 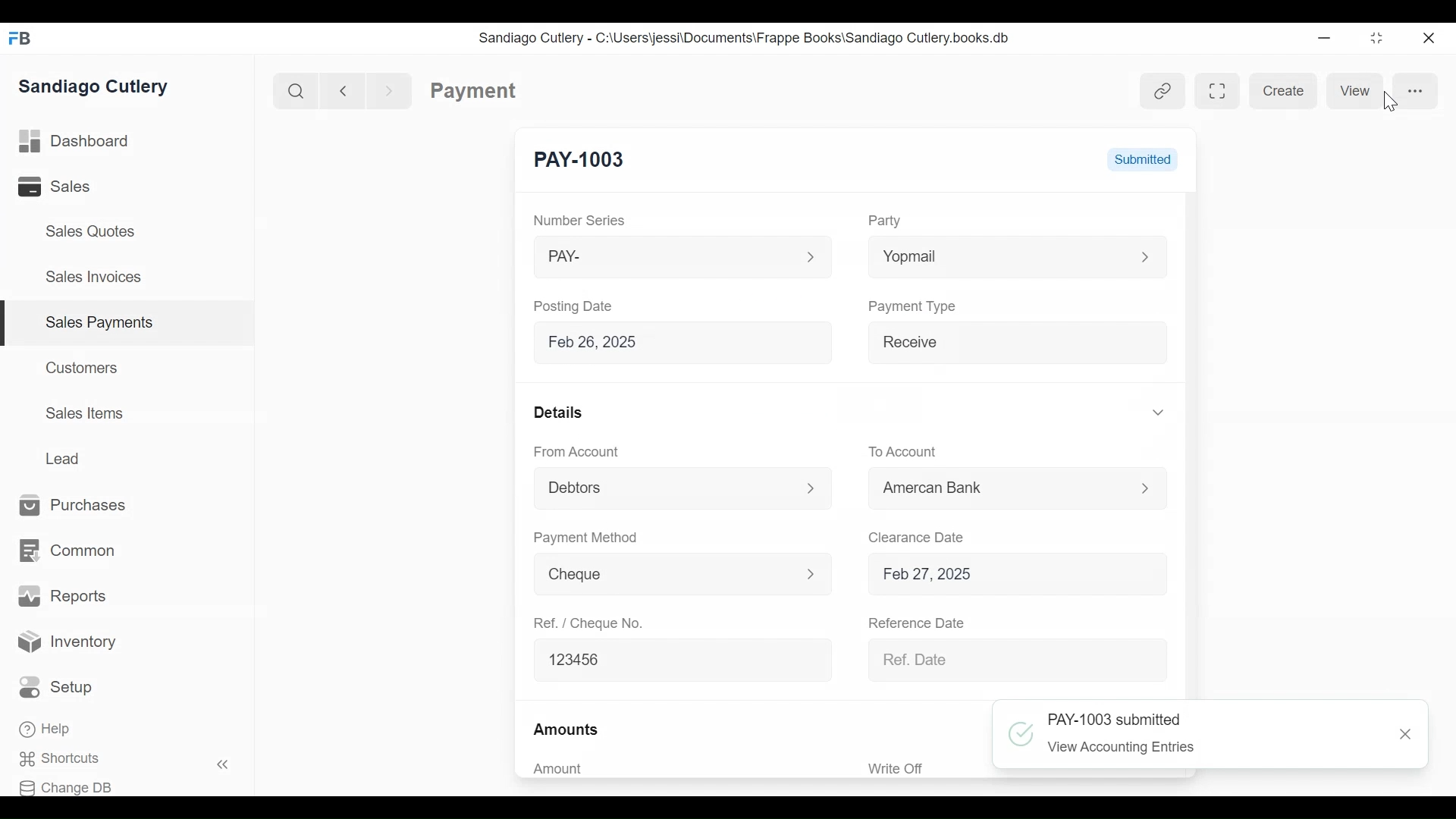 I want to click on Amount, so click(x=559, y=770).